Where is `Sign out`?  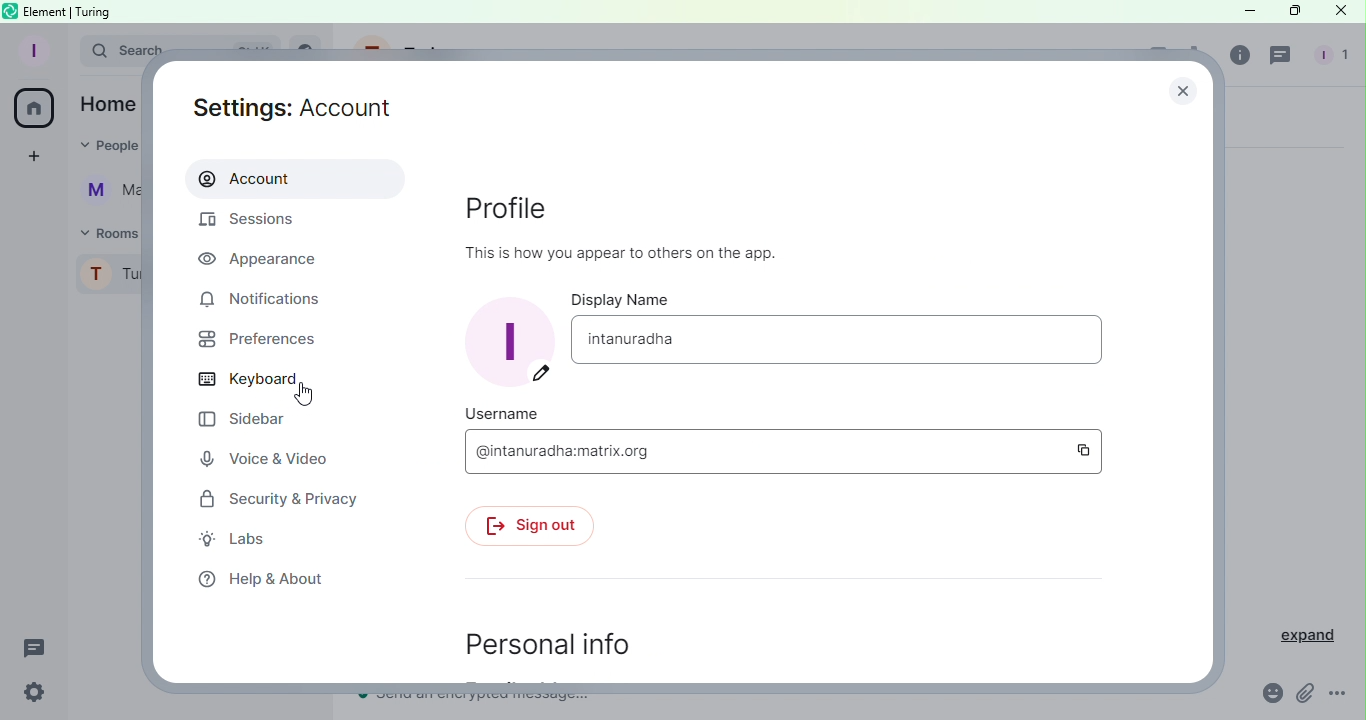
Sign out is located at coordinates (537, 526).